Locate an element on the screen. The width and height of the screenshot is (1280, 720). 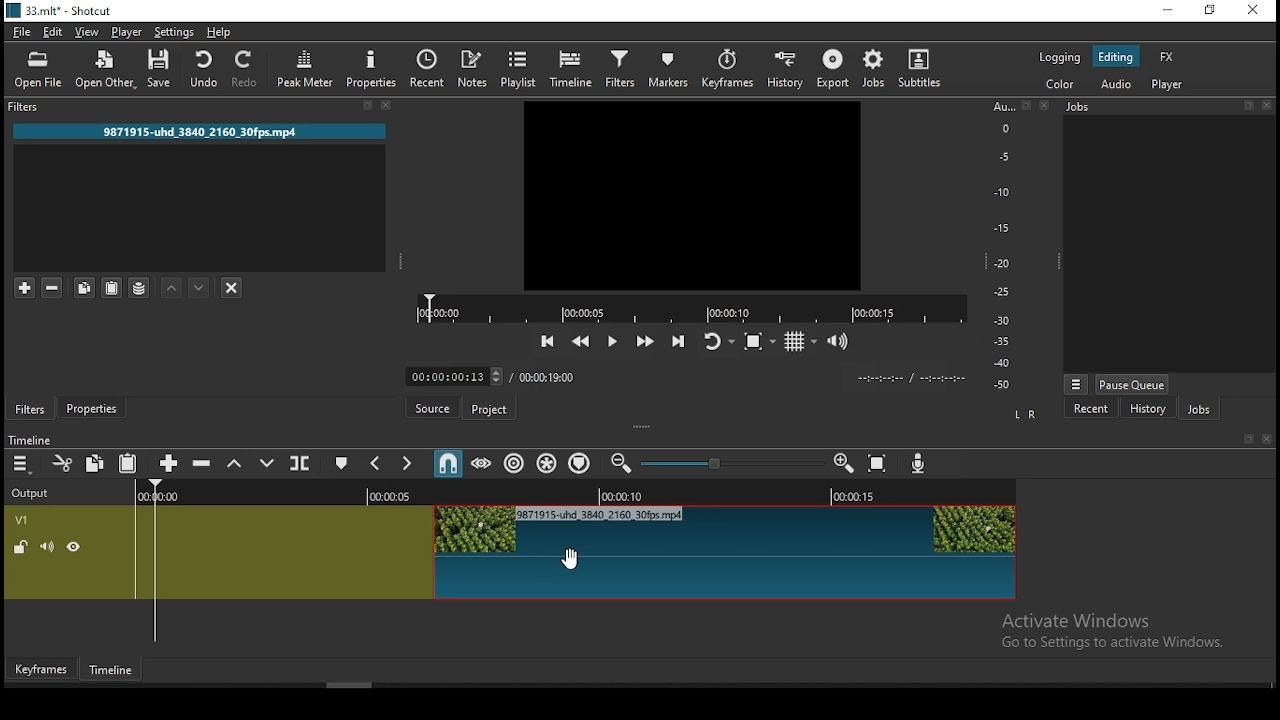
minimize is located at coordinates (1167, 11).